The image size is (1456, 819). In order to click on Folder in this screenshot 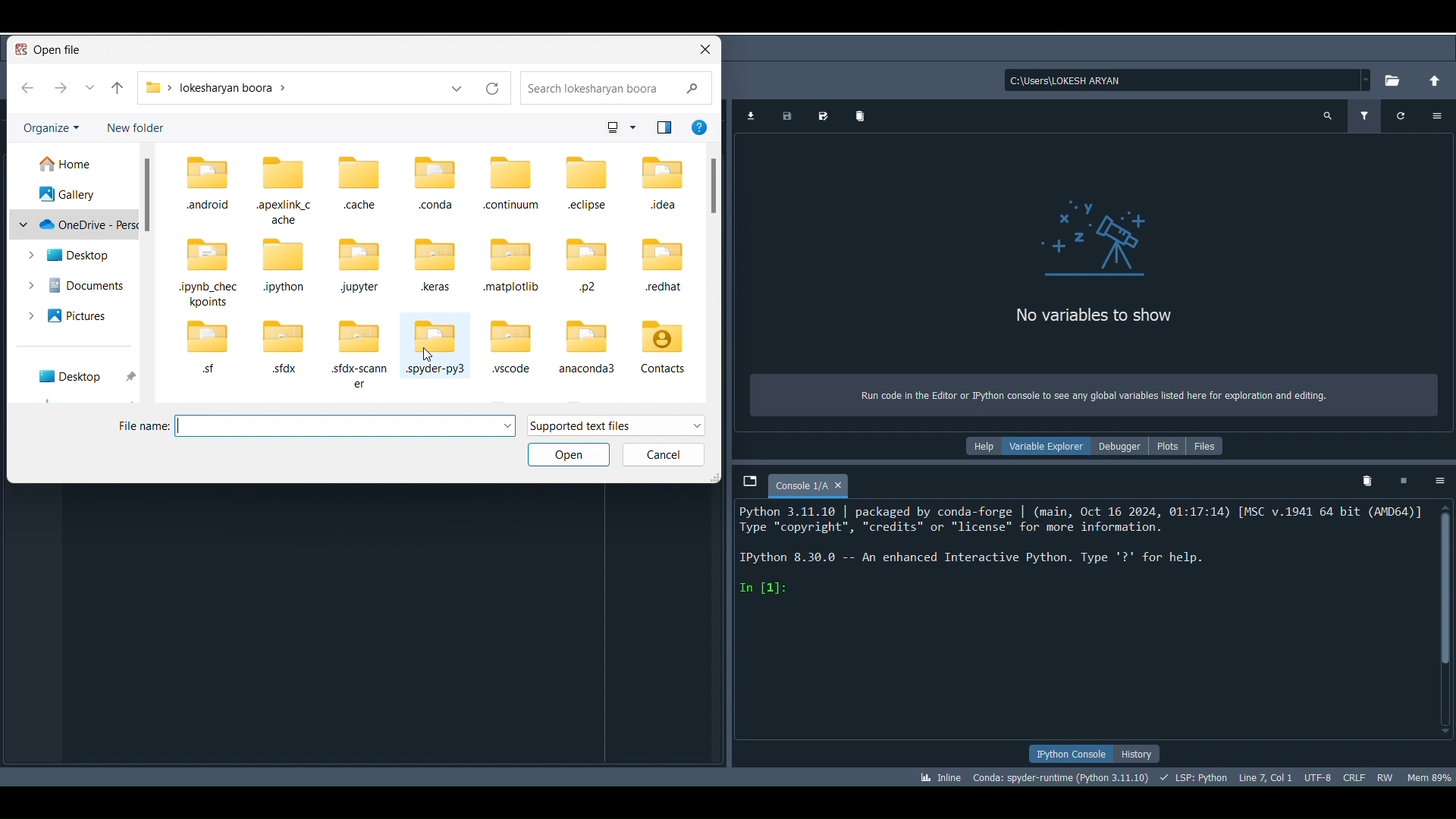, I will do `click(287, 265)`.